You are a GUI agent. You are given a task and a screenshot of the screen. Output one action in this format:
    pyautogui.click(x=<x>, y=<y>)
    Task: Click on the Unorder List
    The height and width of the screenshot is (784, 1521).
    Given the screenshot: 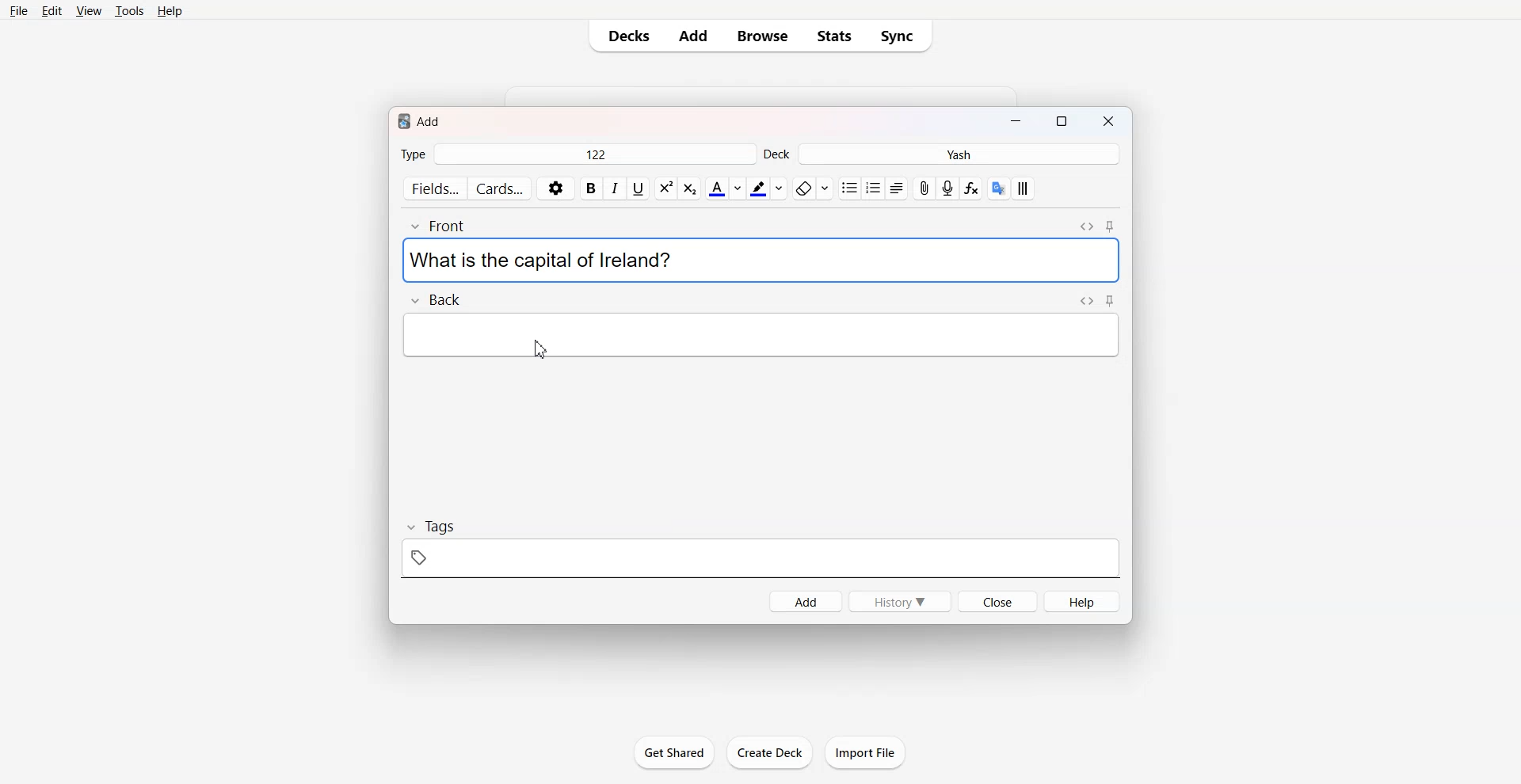 What is the action you would take?
    pyautogui.click(x=848, y=188)
    